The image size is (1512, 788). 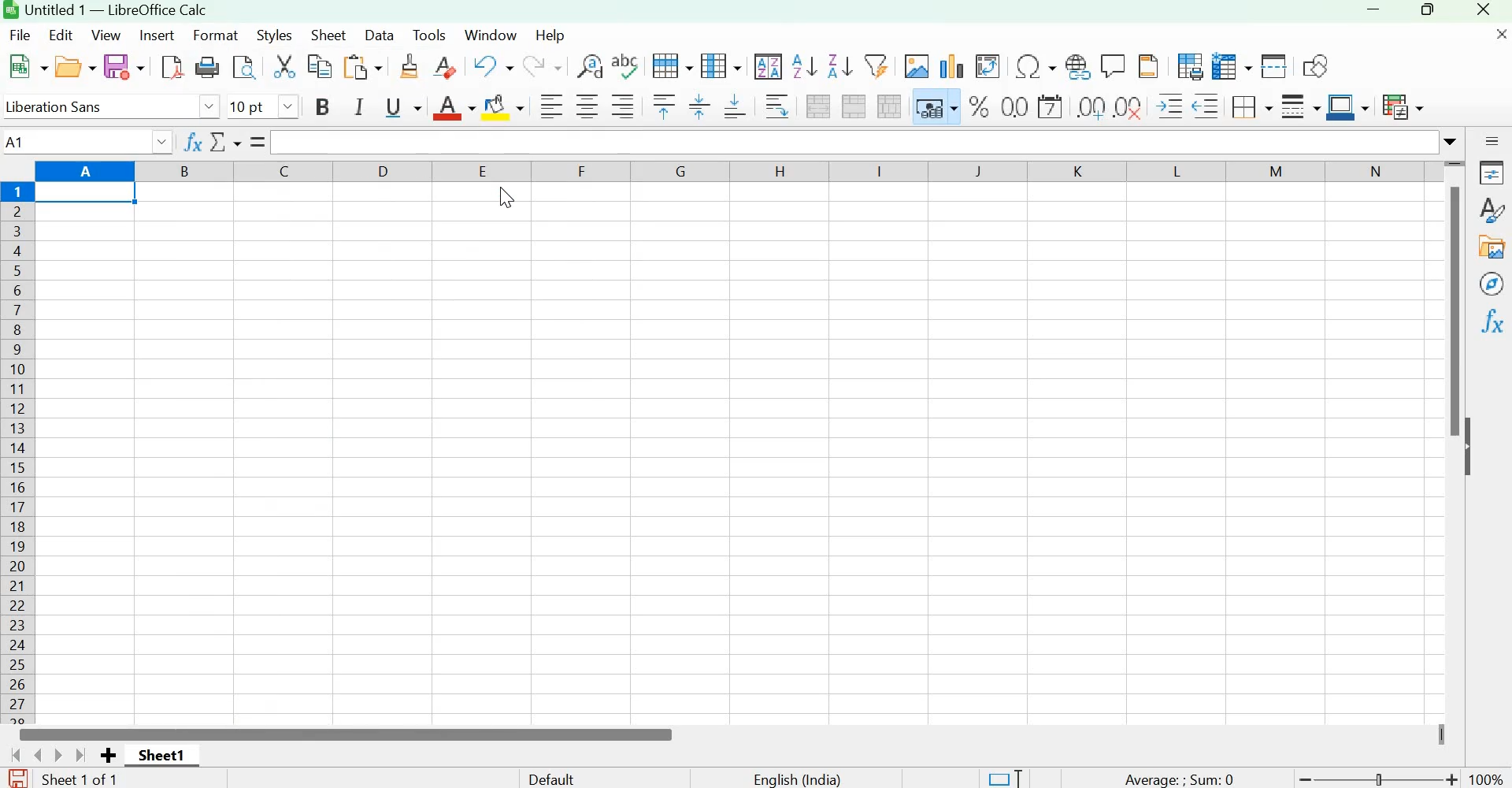 I want to click on Define print area, so click(x=1187, y=66).